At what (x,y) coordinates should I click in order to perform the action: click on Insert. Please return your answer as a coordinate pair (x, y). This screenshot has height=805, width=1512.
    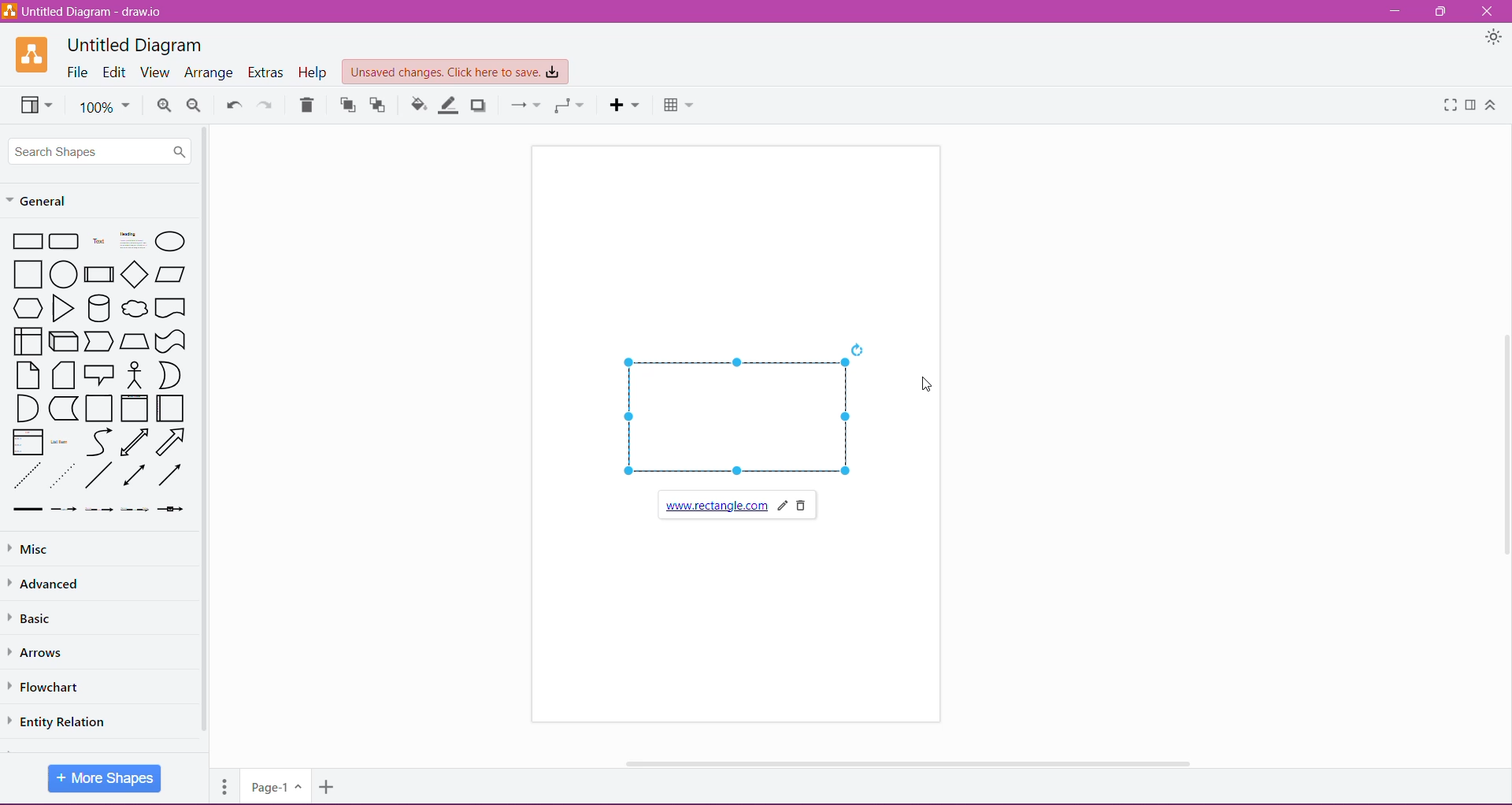
    Looking at the image, I should click on (624, 105).